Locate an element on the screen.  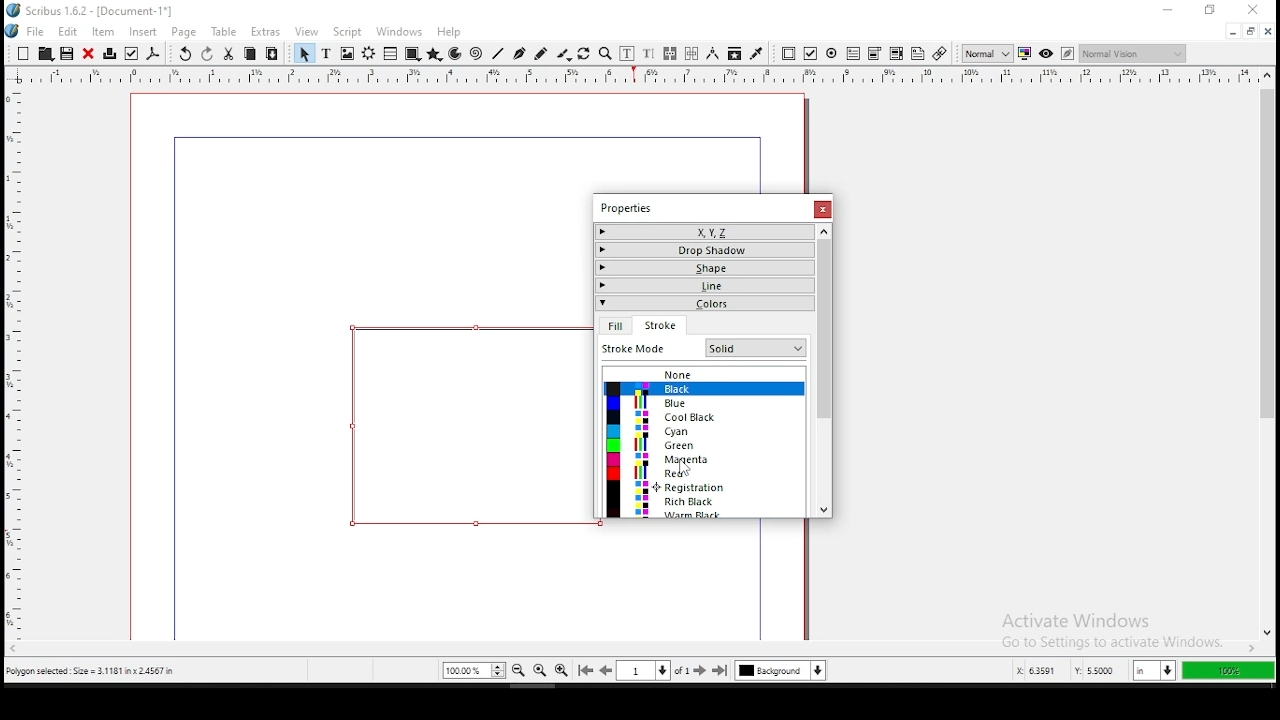
go to next page is located at coordinates (702, 671).